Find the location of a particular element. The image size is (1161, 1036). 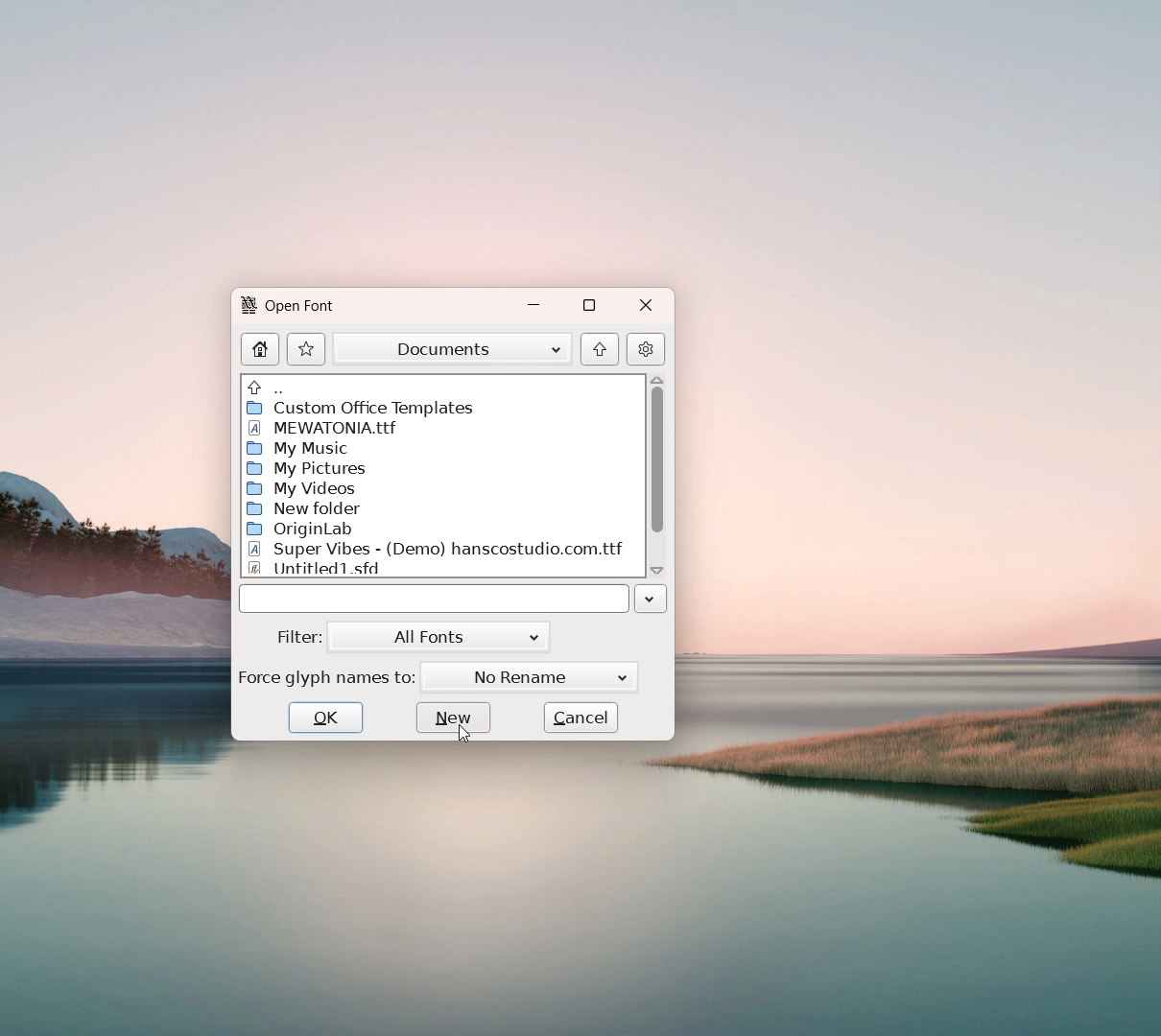

cancel is located at coordinates (582, 718).